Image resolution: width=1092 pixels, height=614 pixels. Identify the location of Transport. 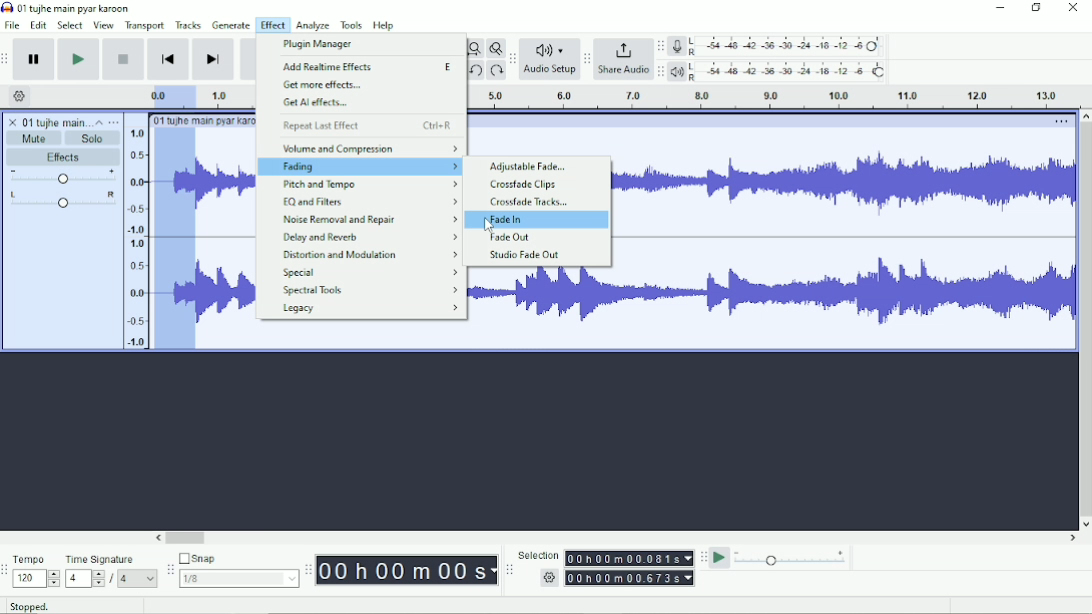
(145, 26).